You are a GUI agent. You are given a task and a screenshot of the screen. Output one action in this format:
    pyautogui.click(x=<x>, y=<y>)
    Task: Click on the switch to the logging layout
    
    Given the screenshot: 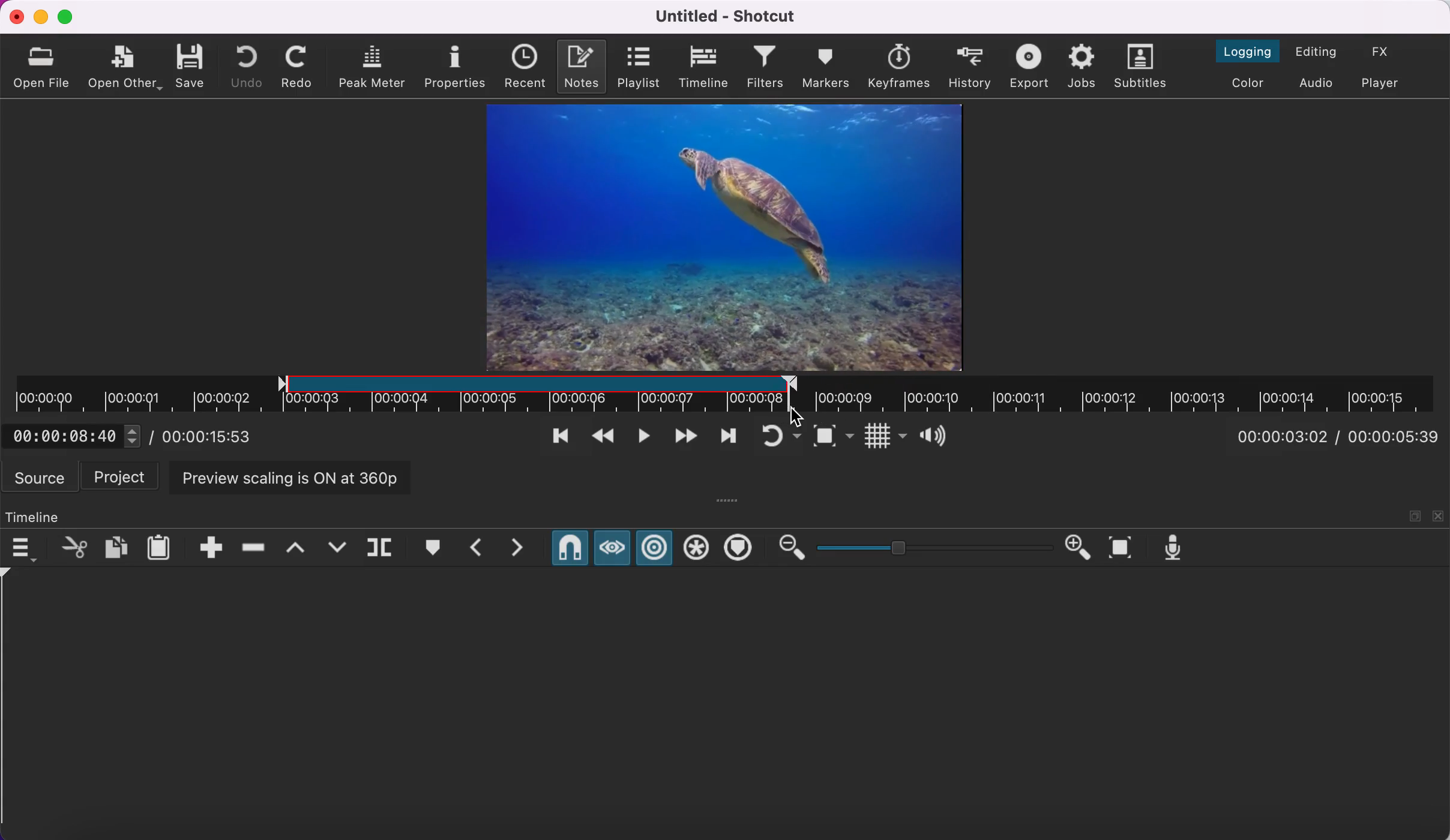 What is the action you would take?
    pyautogui.click(x=1251, y=51)
    